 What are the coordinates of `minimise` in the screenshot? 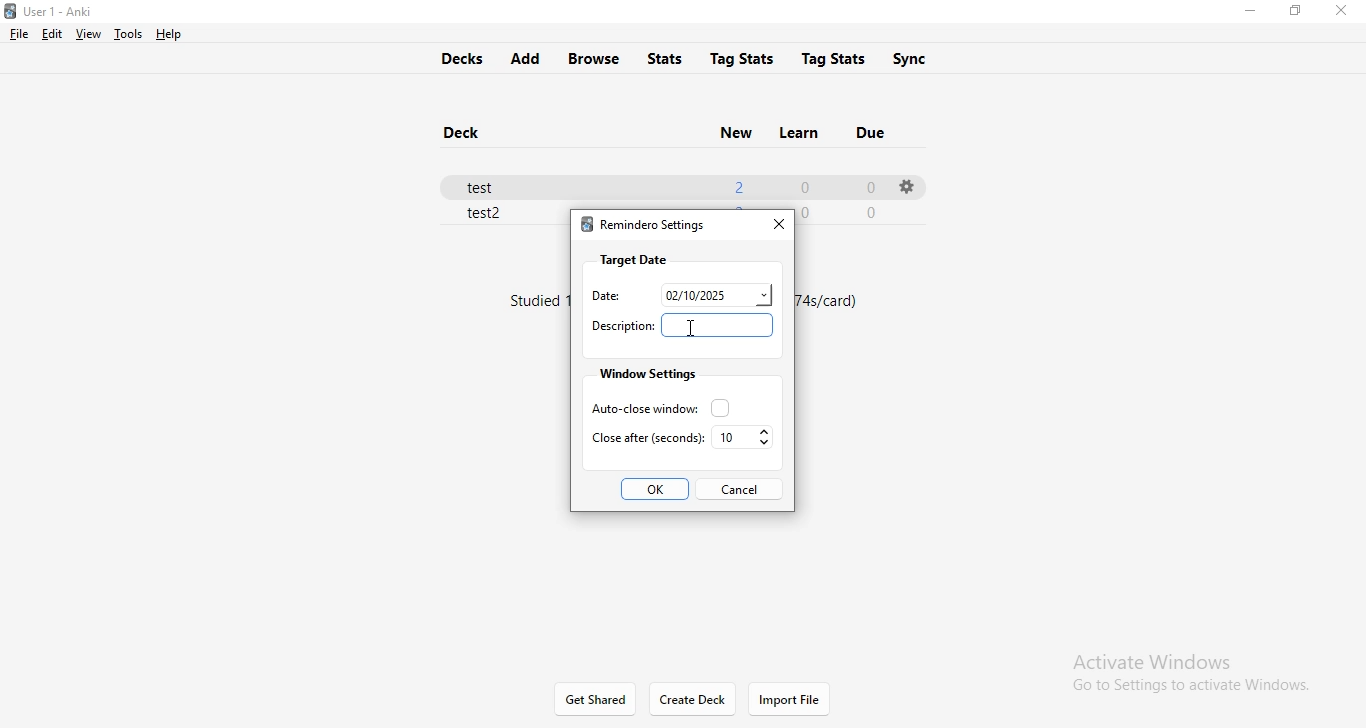 It's located at (1249, 13).